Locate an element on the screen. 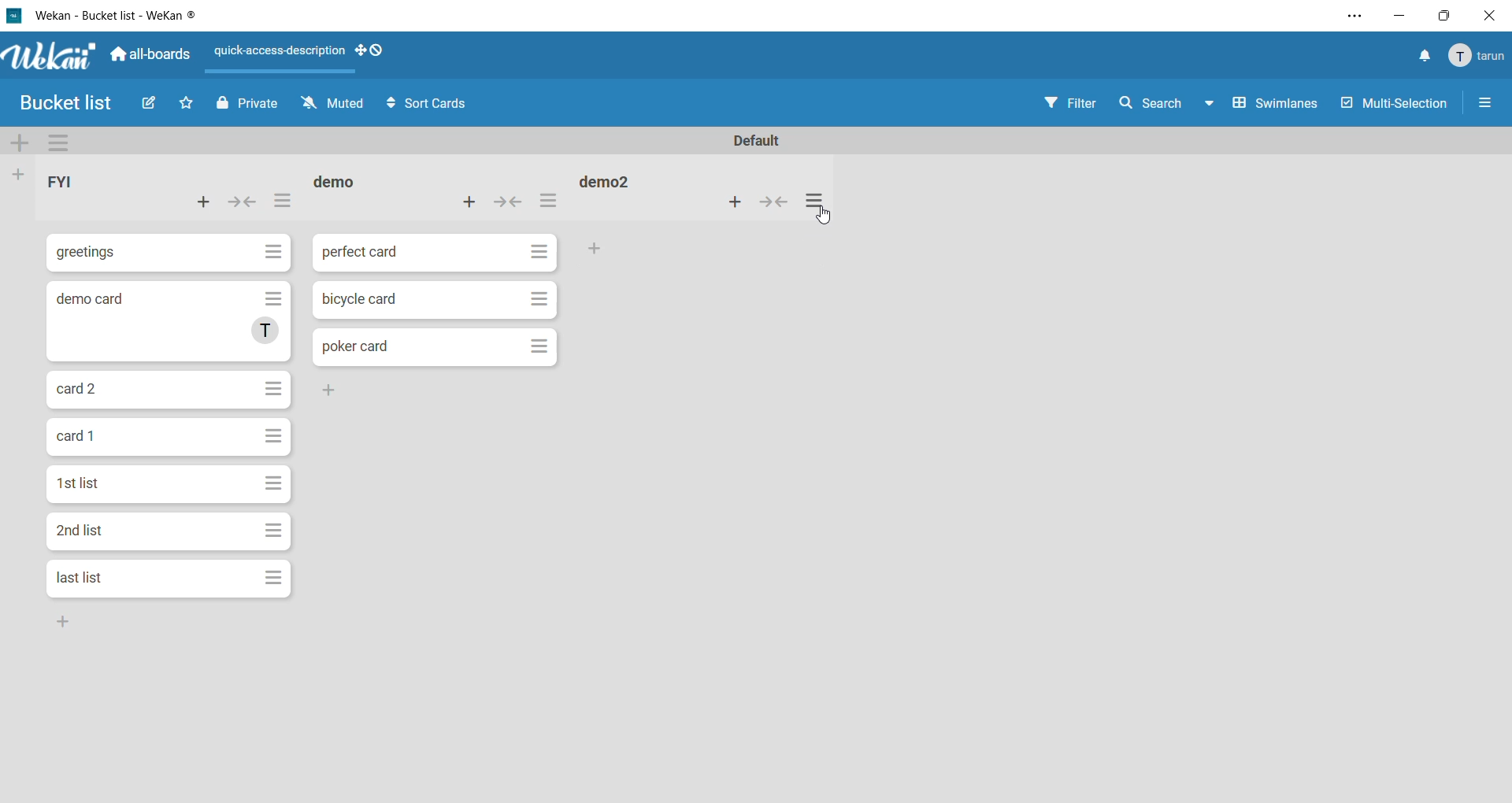 The width and height of the screenshot is (1512, 803). app logo Wekan is located at coordinates (50, 57).